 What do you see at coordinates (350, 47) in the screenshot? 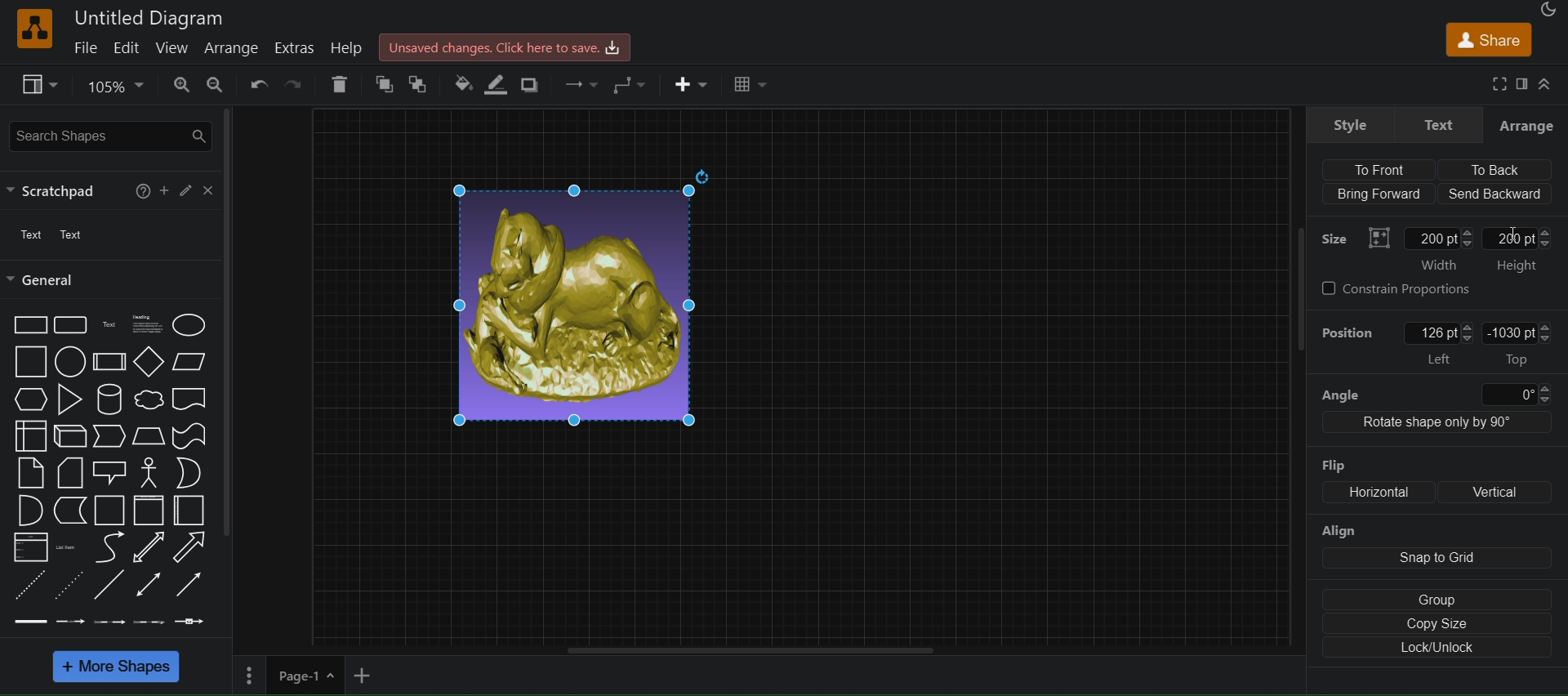
I see `help` at bounding box center [350, 47].